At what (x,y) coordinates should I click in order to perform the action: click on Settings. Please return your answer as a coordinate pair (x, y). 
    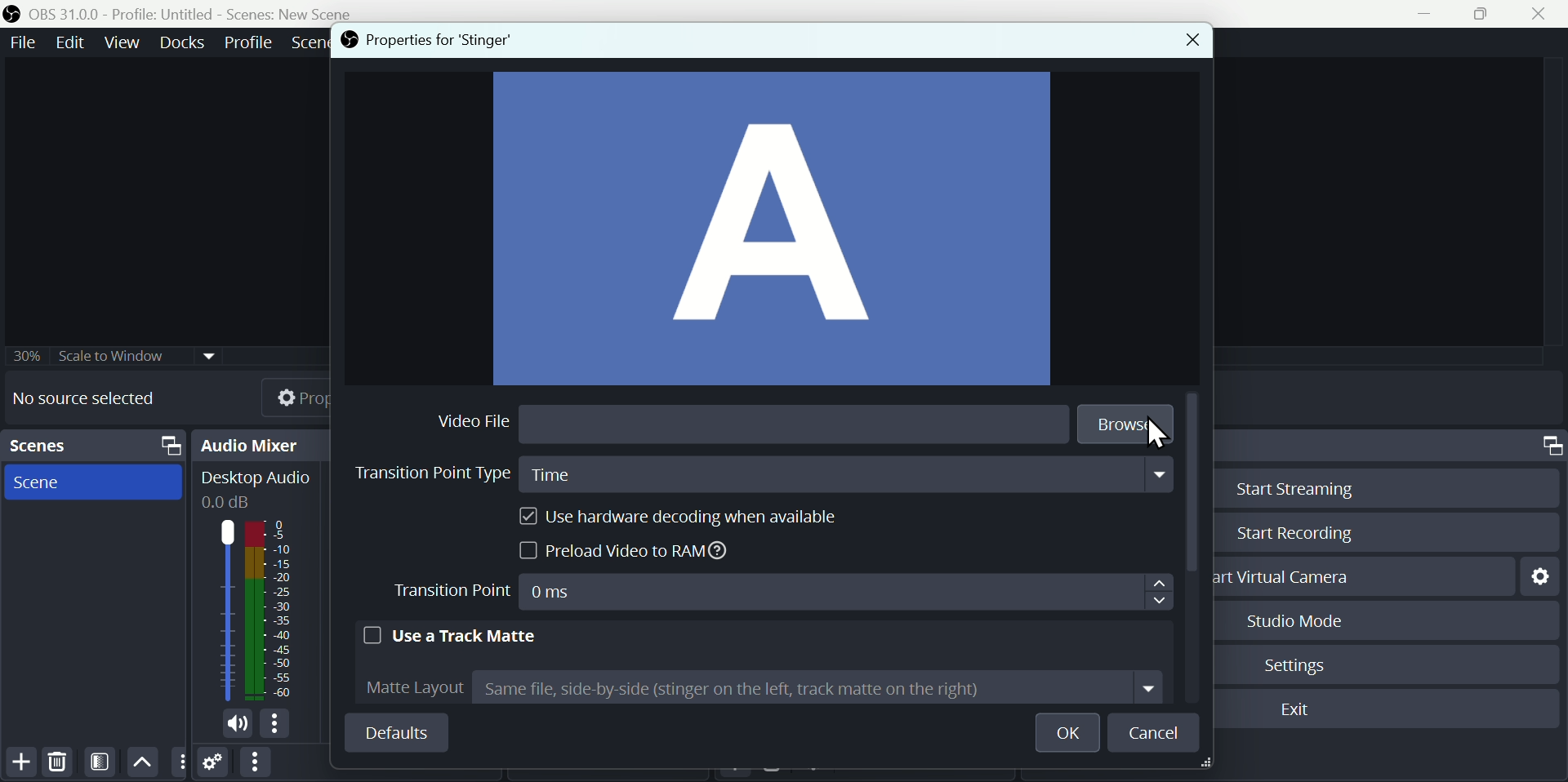
    Looking at the image, I should click on (1539, 575).